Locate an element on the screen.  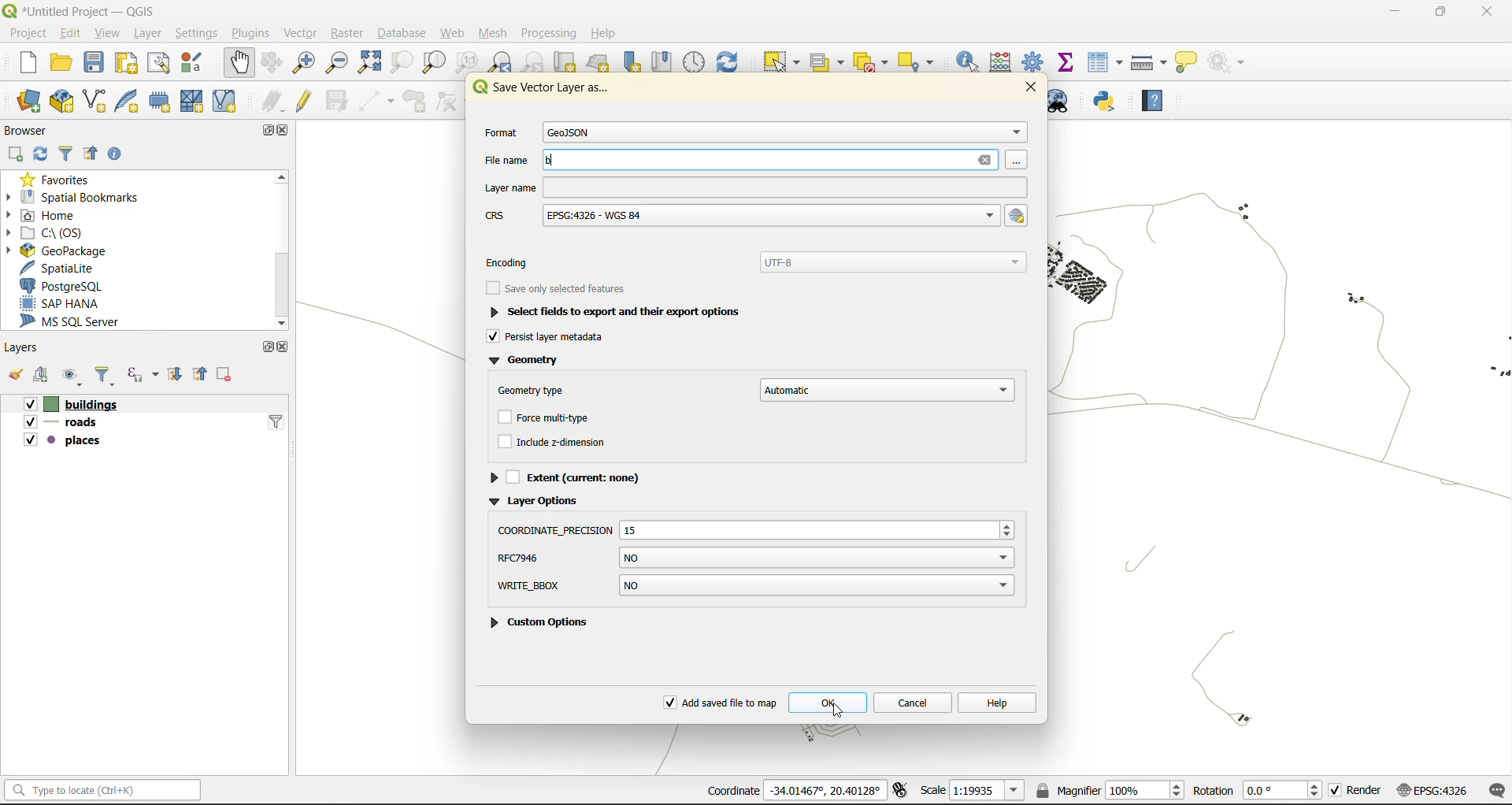
rotation is located at coordinates (1258, 791).